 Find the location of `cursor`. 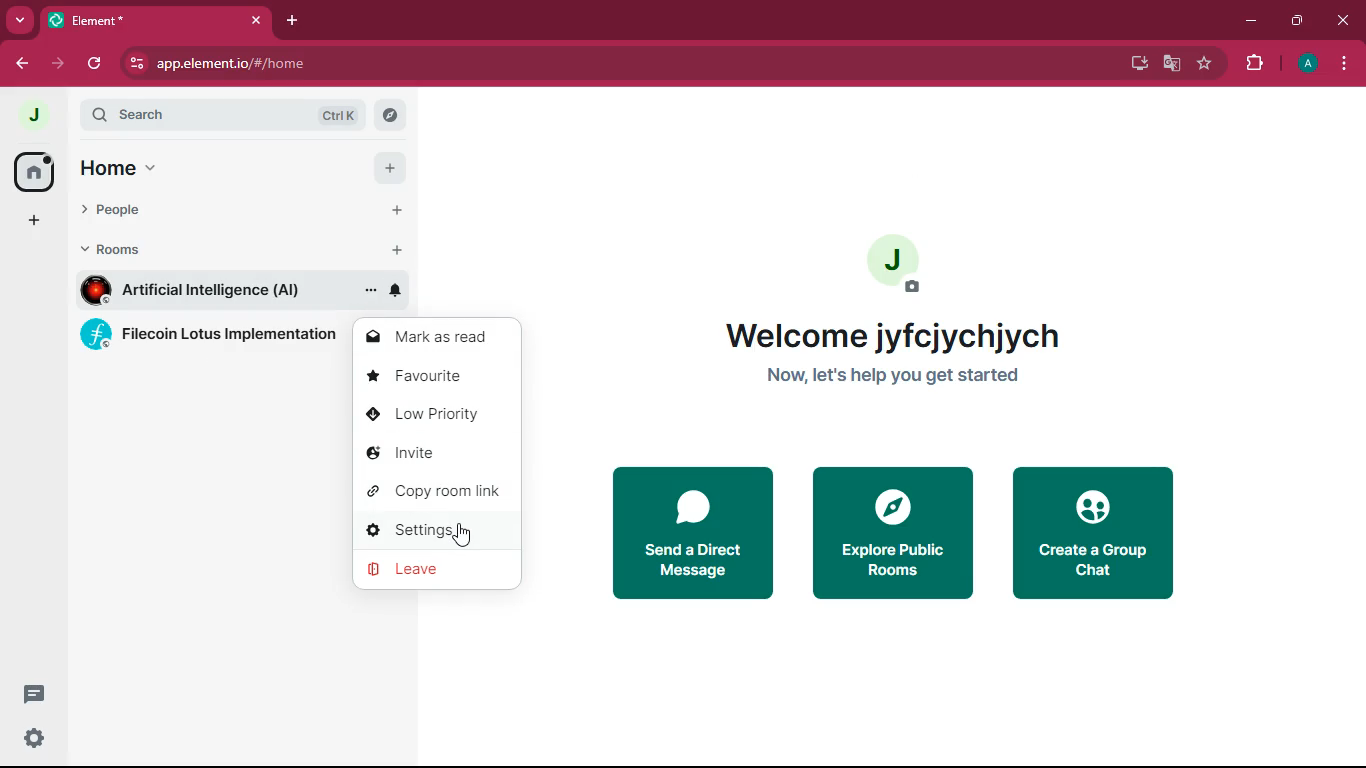

cursor is located at coordinates (461, 531).